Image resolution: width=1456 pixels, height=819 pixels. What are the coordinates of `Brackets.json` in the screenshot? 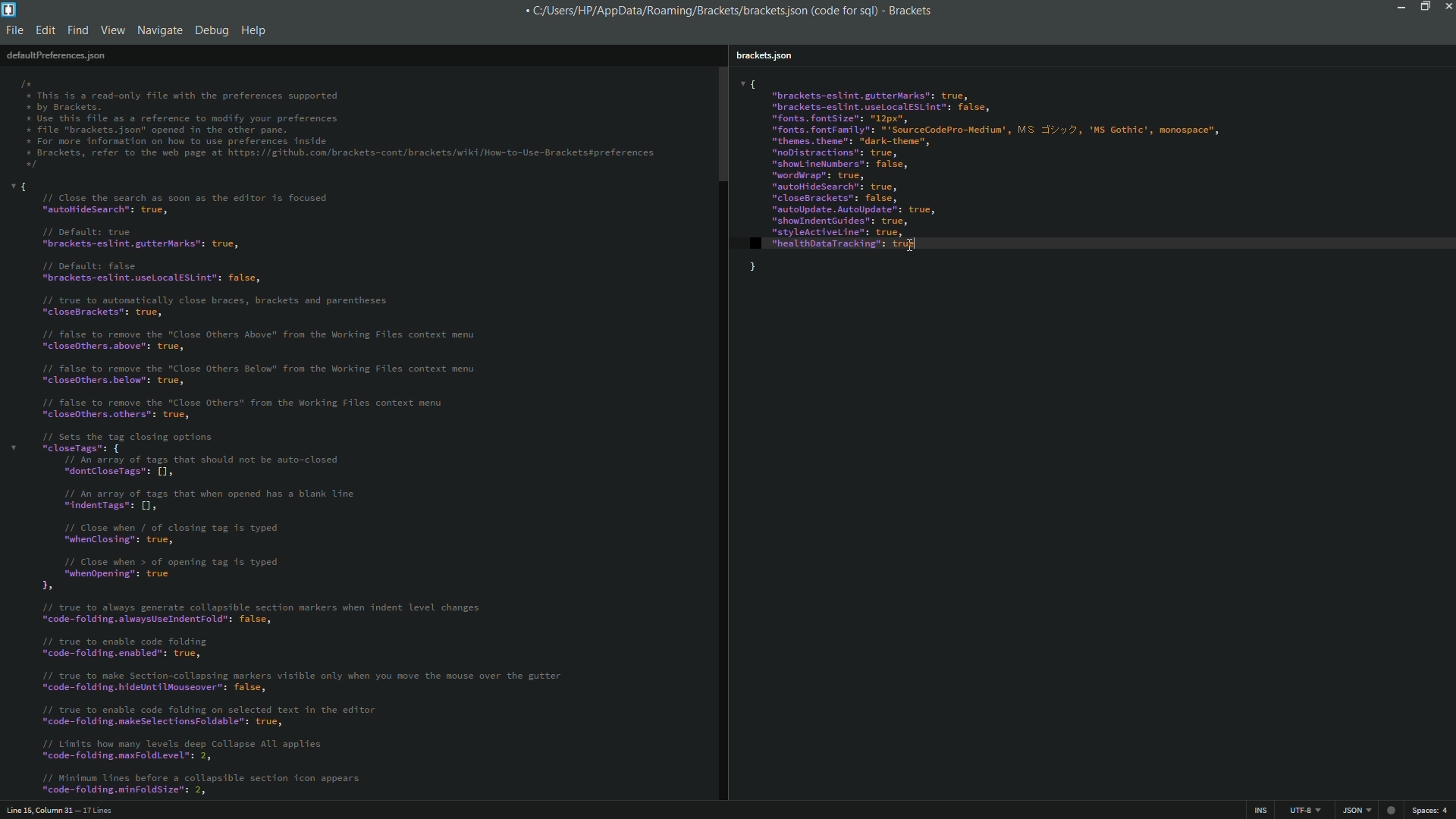 It's located at (766, 55).